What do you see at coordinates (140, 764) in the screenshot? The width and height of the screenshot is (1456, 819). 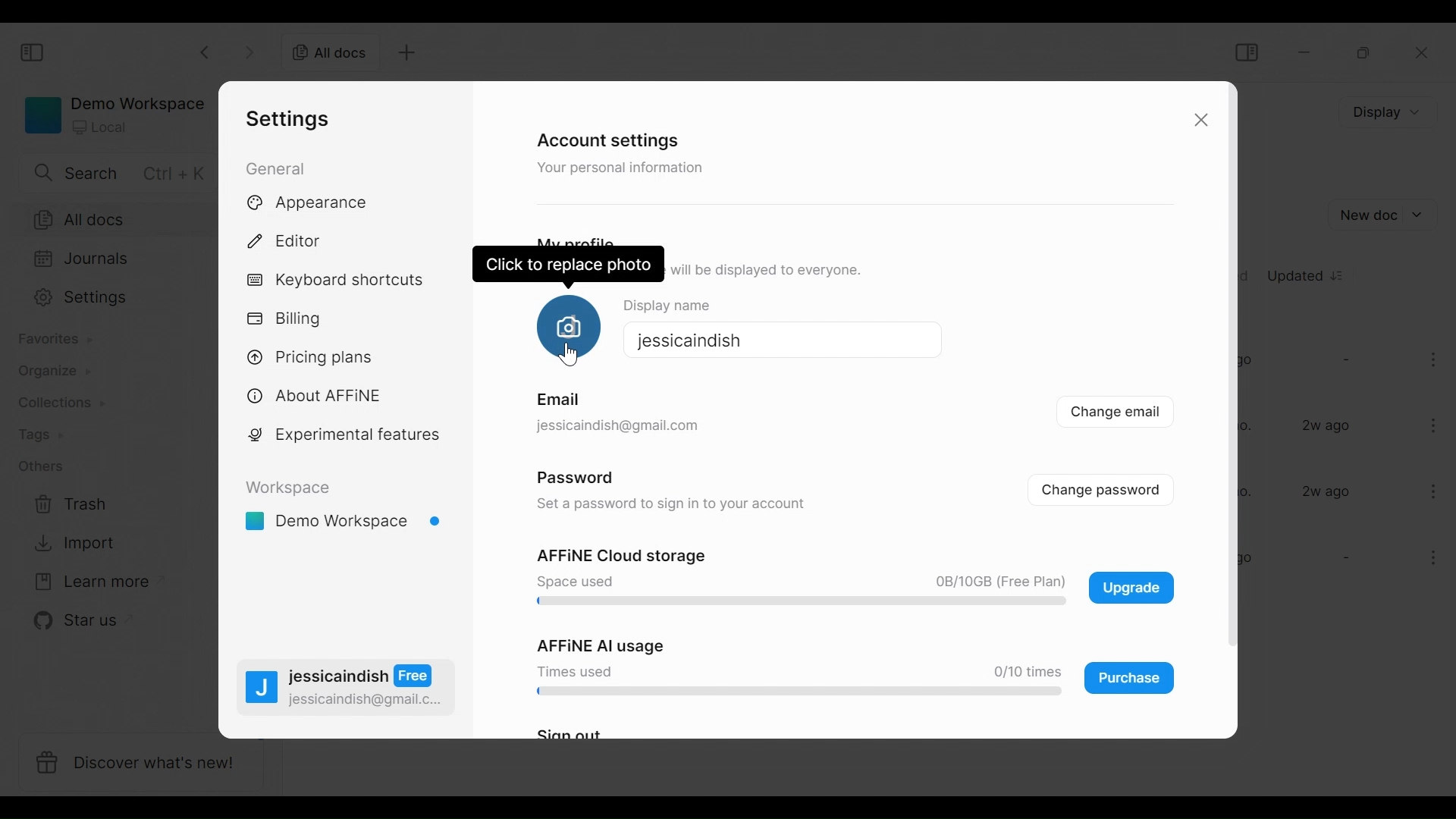 I see `Discover what's new` at bounding box center [140, 764].